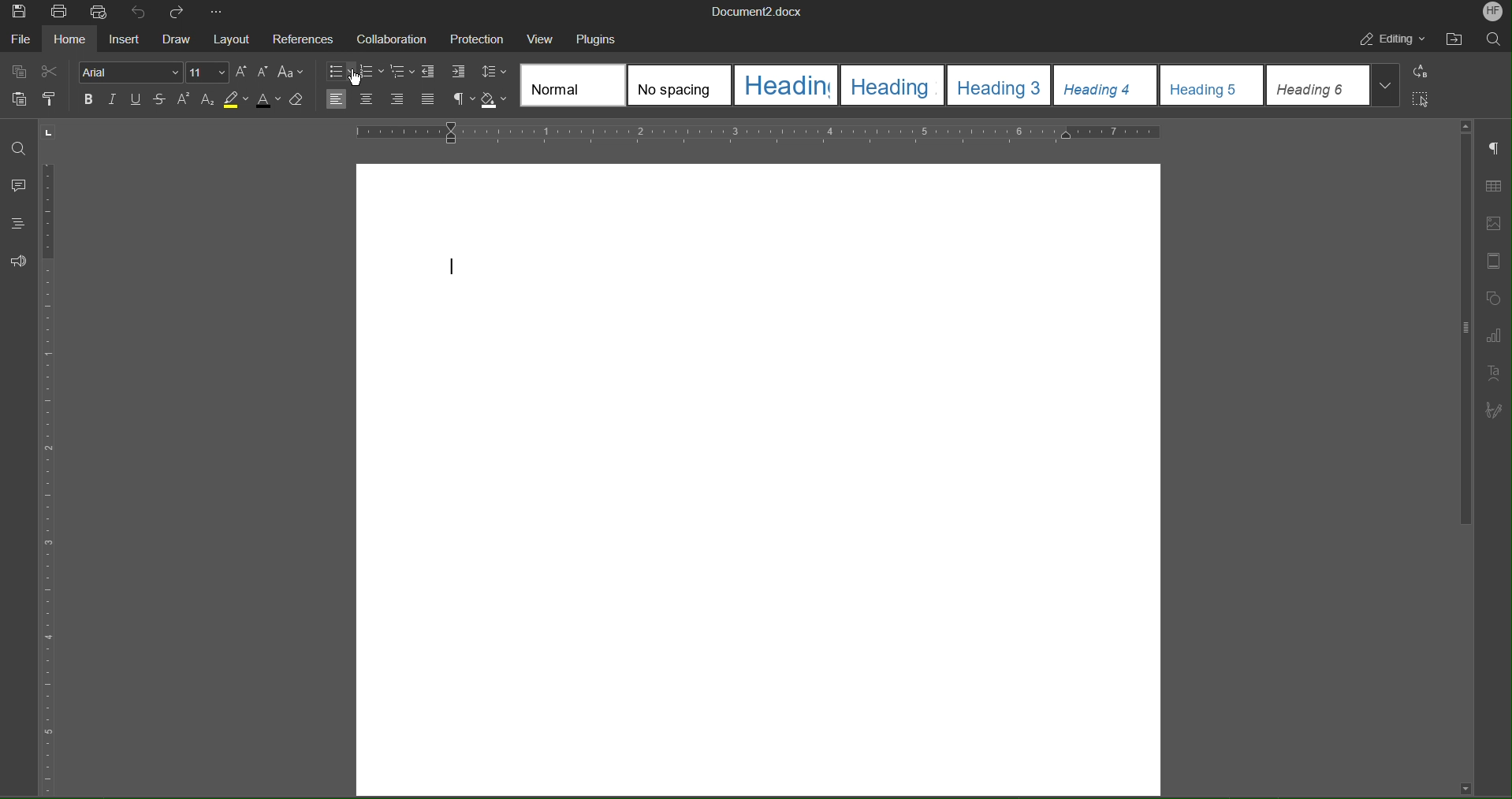  What do you see at coordinates (383, 96) in the screenshot?
I see `Text Alignment` at bounding box center [383, 96].